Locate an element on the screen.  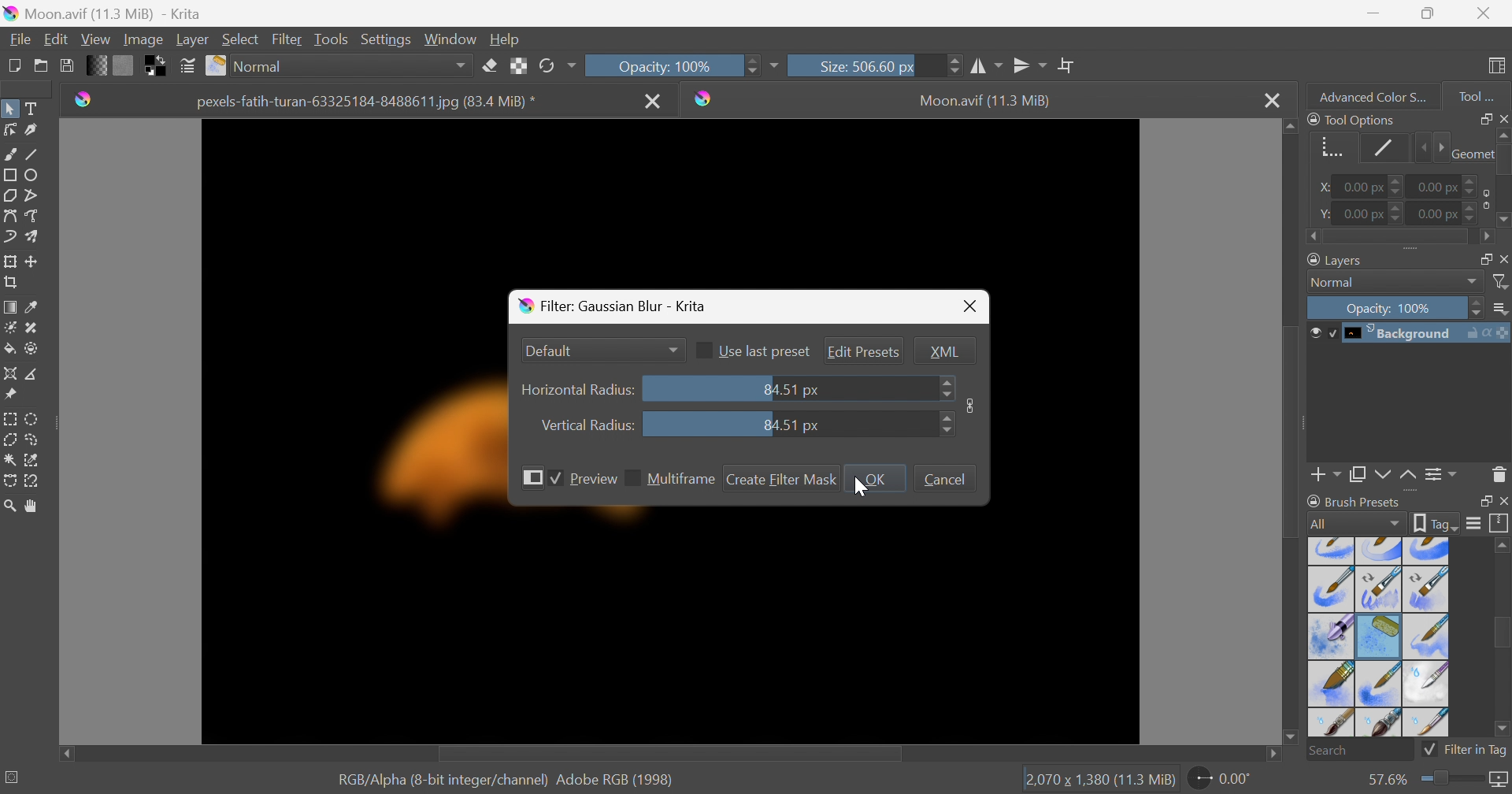
More is located at coordinates (534, 477).